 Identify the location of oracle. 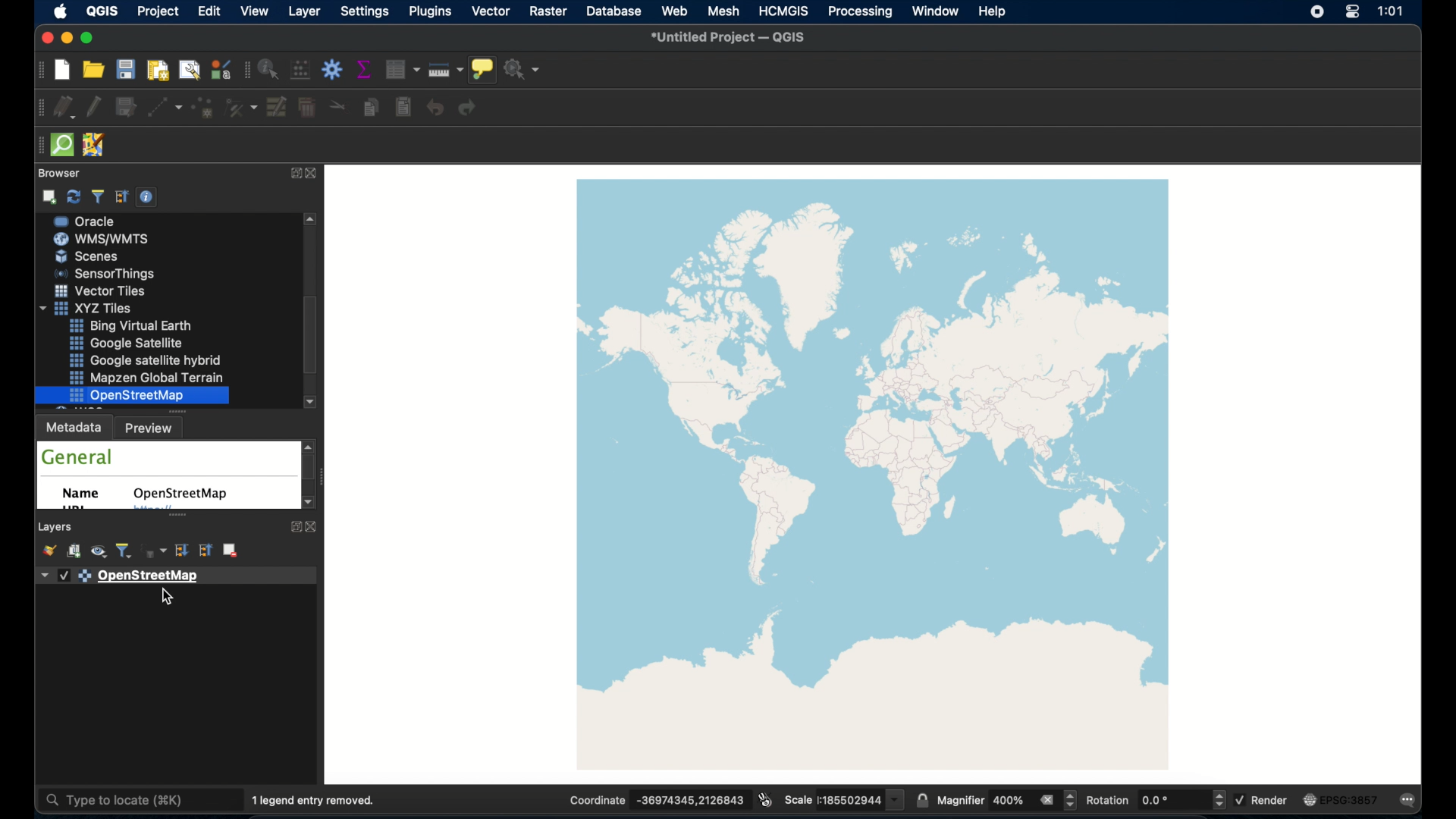
(107, 275).